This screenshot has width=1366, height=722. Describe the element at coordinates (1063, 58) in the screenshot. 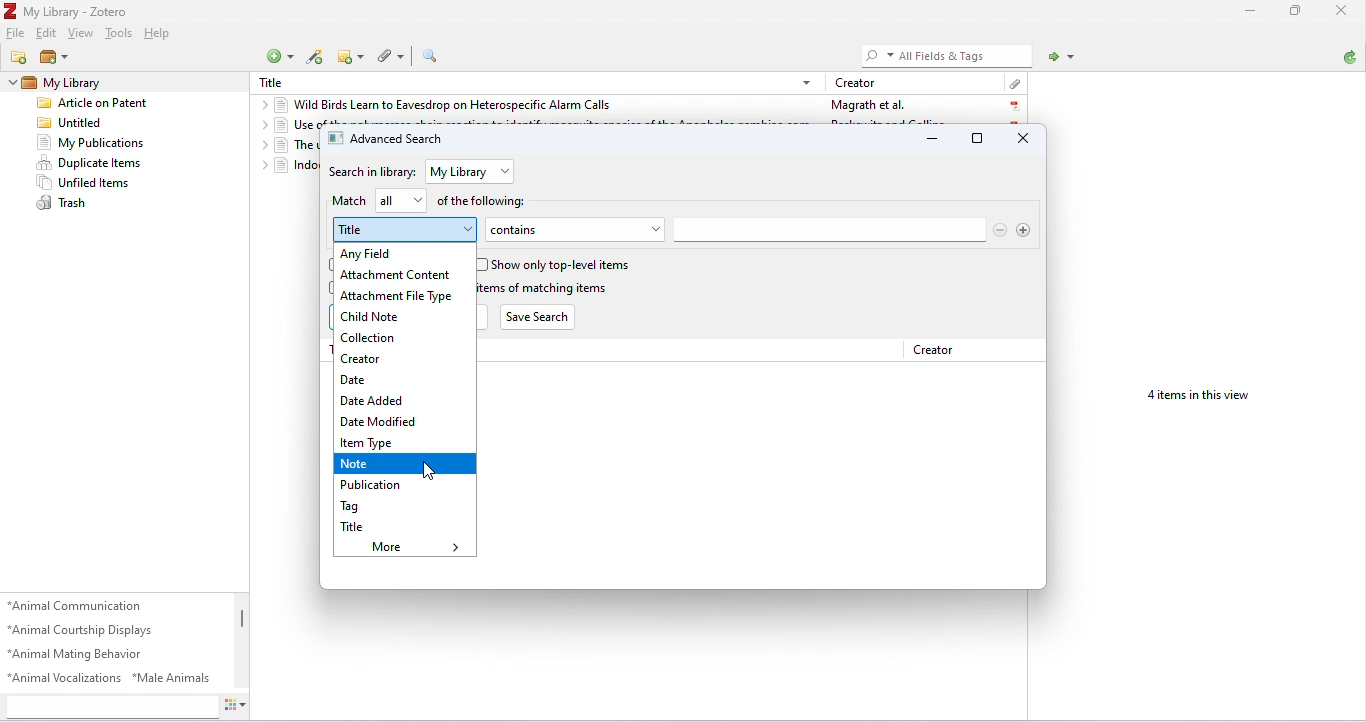

I see `locate` at that location.